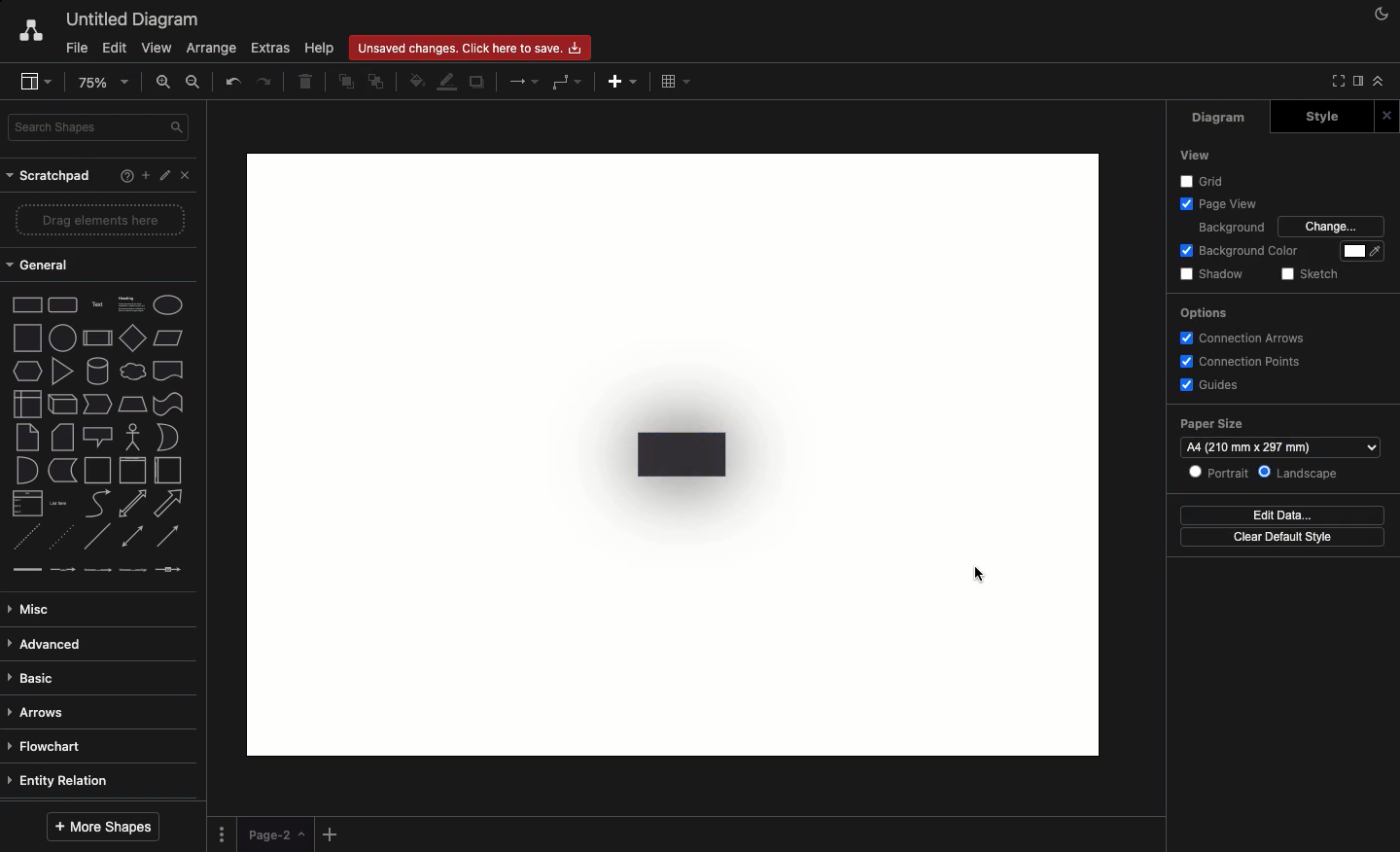 Image resolution: width=1400 pixels, height=852 pixels. I want to click on Advanced, so click(54, 644).